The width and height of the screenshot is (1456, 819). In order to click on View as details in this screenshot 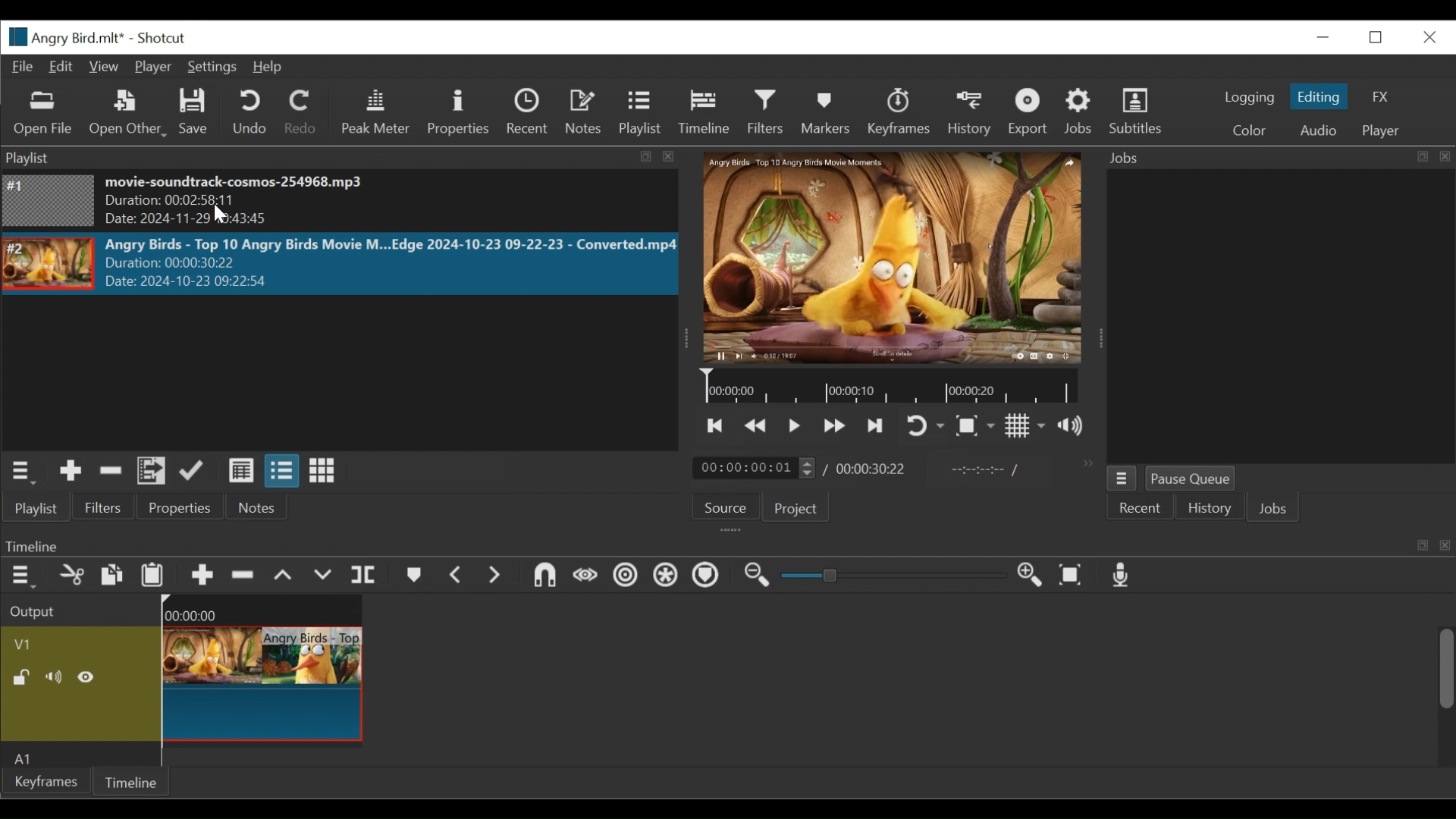, I will do `click(240, 472)`.